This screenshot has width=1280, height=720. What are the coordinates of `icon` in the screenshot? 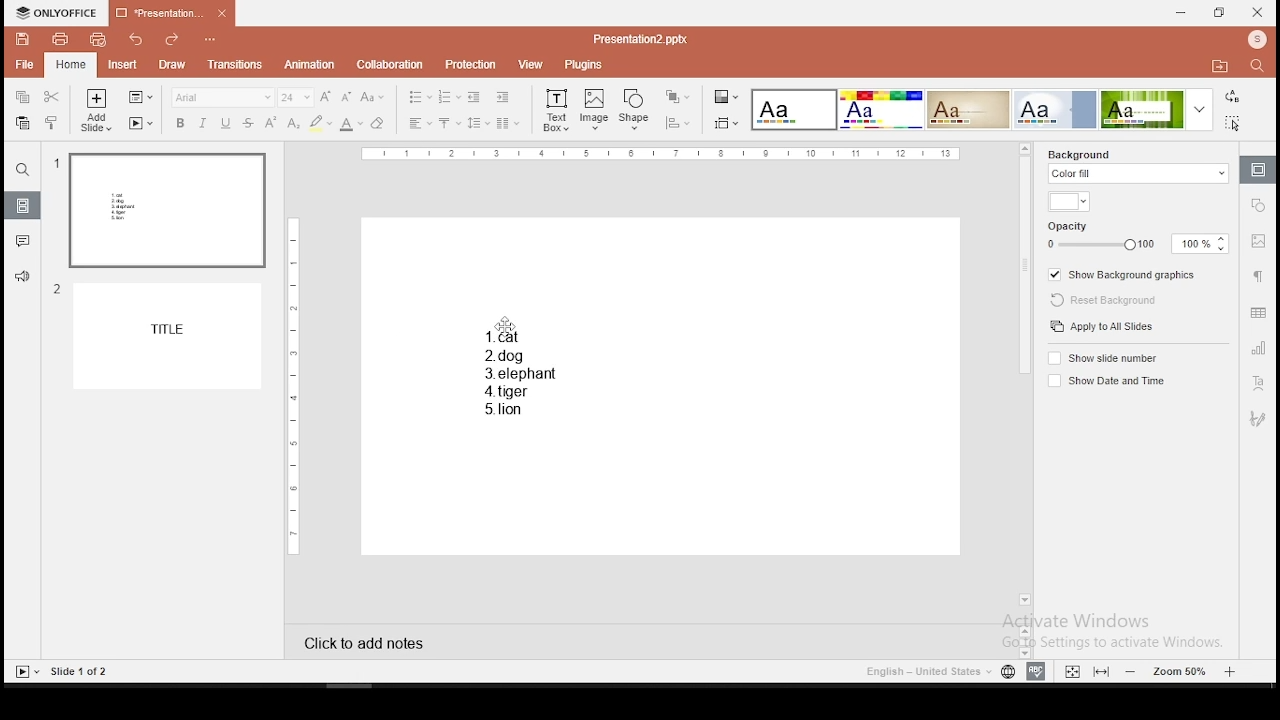 It's located at (57, 14).